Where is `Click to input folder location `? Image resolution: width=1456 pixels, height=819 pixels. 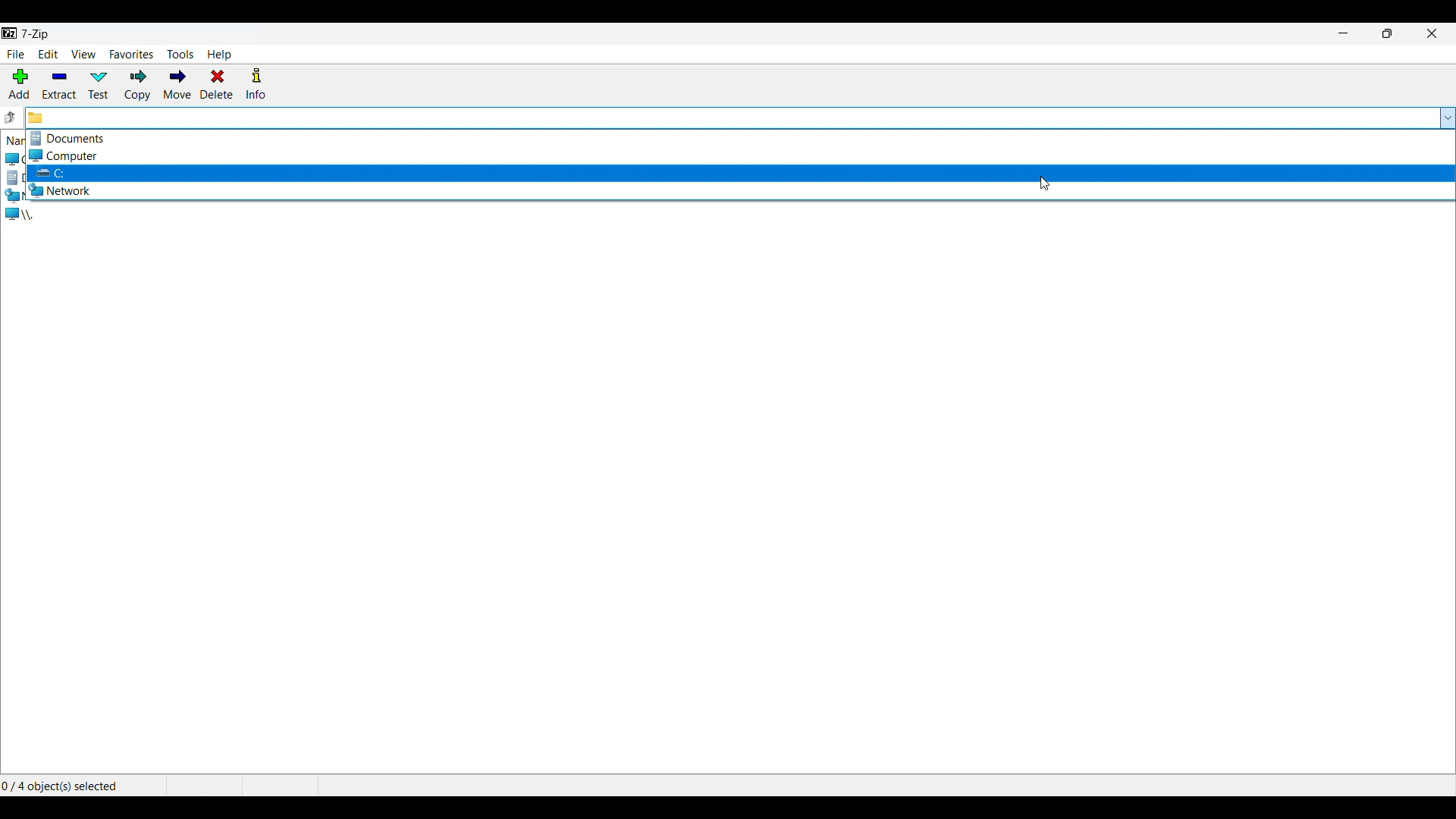
Click to input folder location  is located at coordinates (729, 118).